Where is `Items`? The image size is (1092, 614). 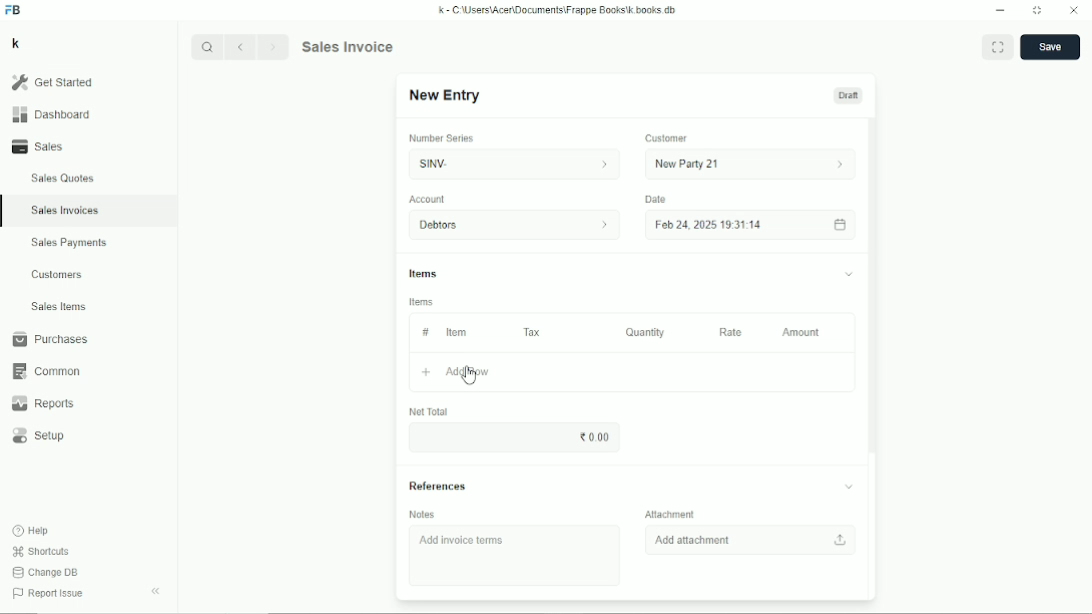 Items is located at coordinates (422, 302).